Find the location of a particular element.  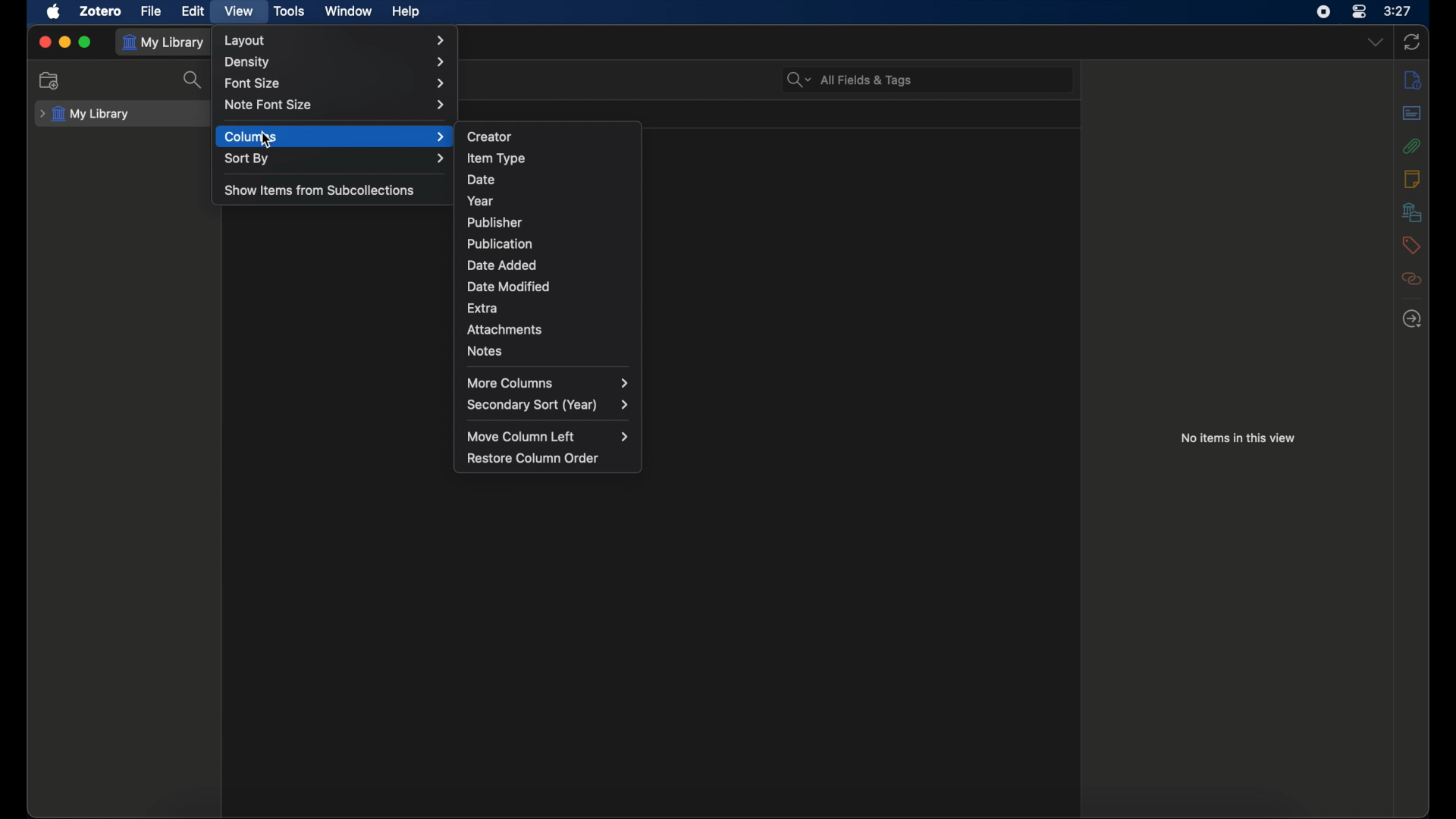

publications is located at coordinates (500, 243).